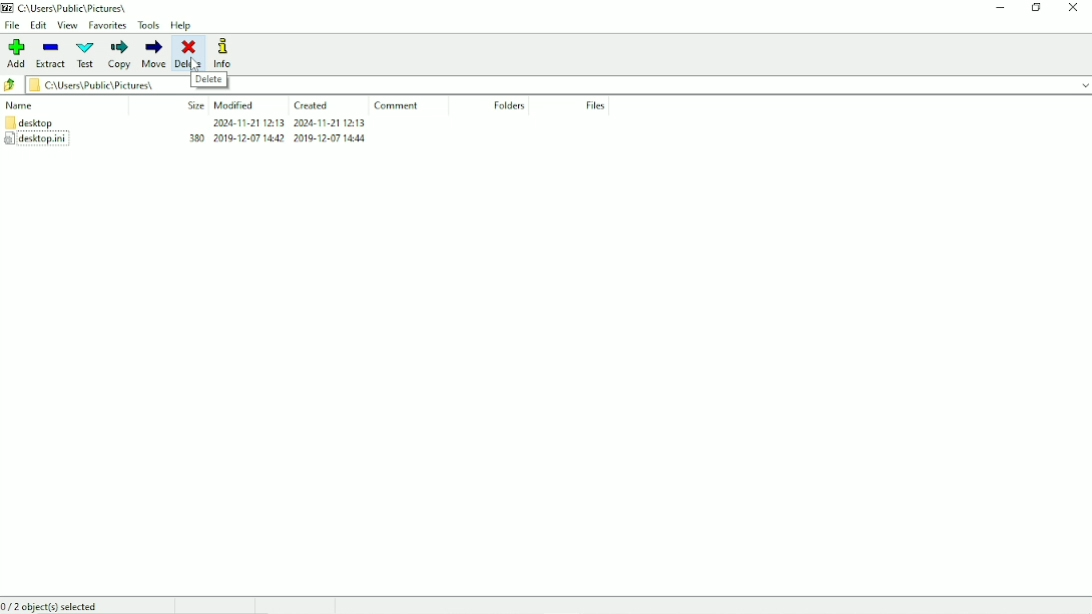 This screenshot has width=1092, height=614. I want to click on Cursor, so click(195, 64).